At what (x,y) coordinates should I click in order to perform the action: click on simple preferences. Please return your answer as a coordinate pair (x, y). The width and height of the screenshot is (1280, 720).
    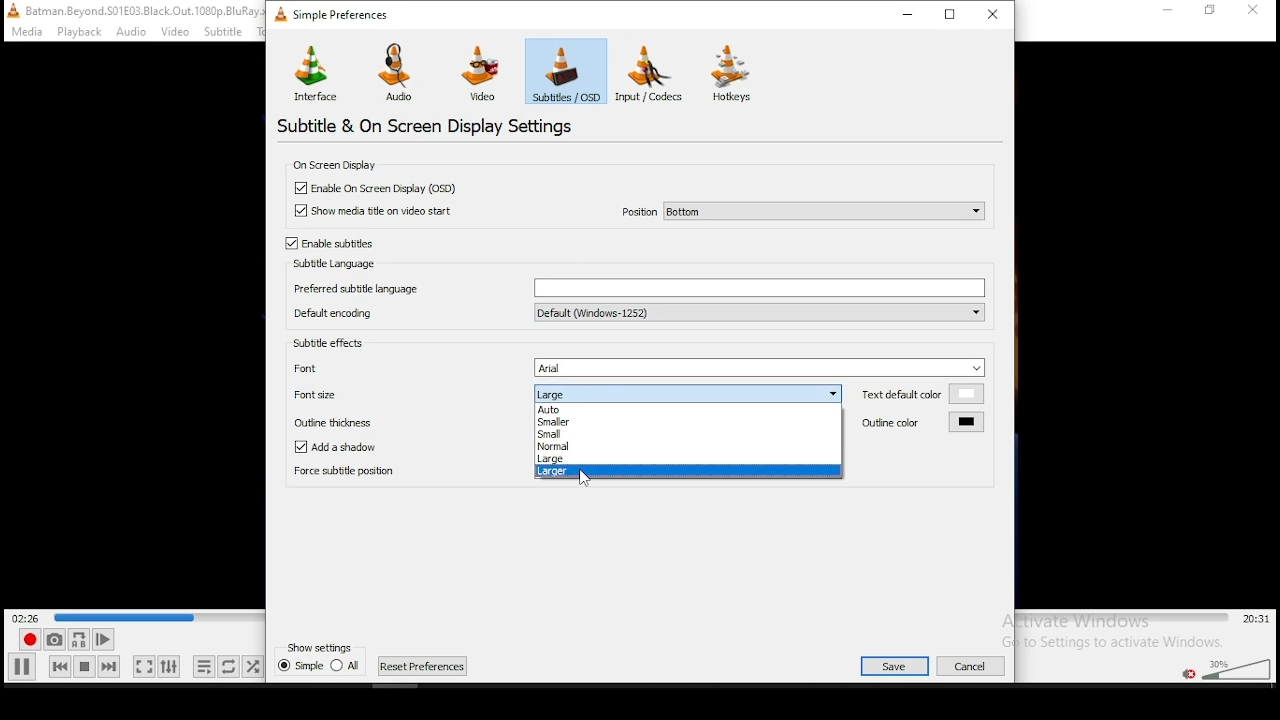
    Looking at the image, I should click on (336, 18).